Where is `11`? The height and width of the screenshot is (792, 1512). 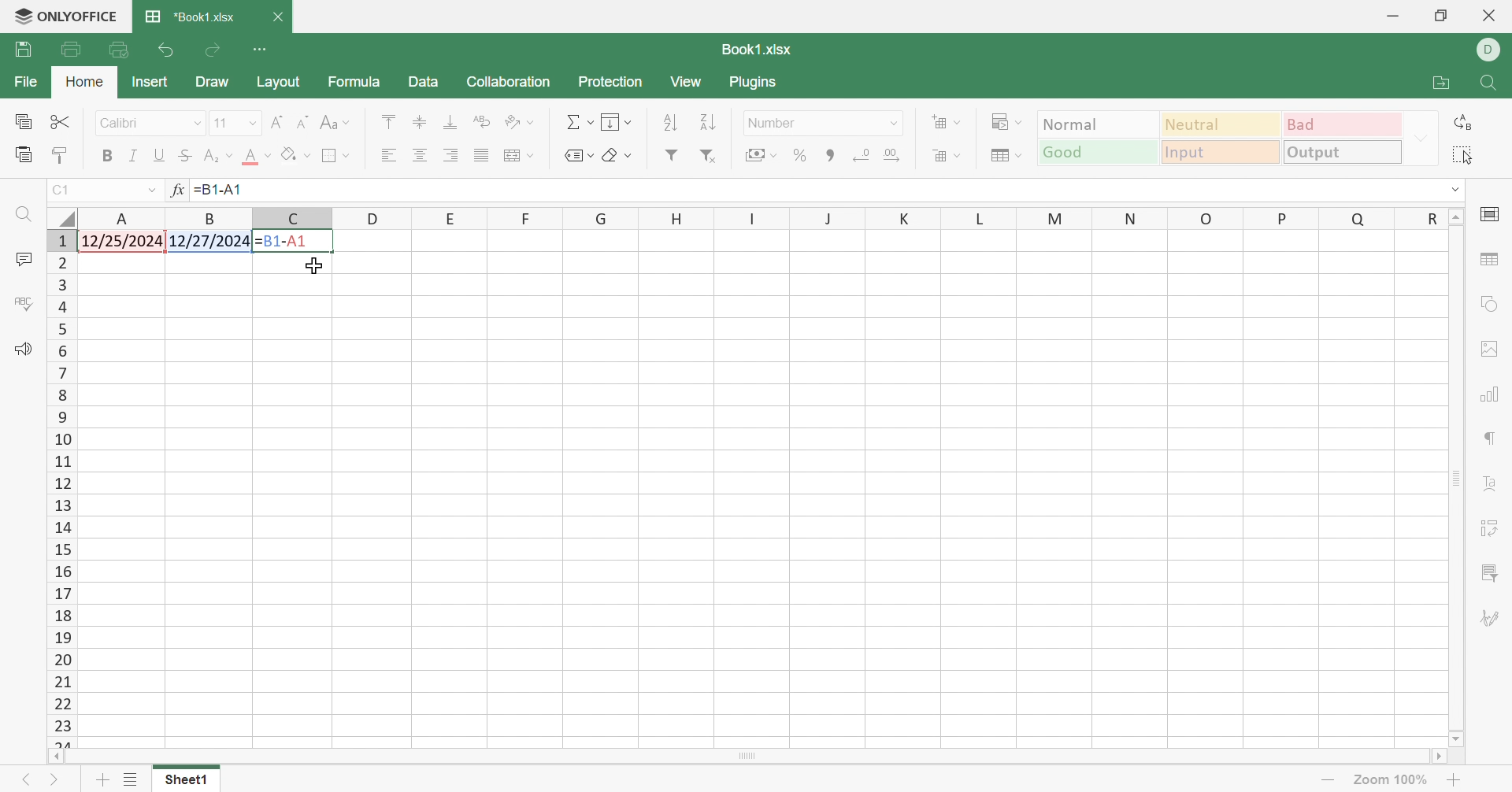
11 is located at coordinates (220, 123).